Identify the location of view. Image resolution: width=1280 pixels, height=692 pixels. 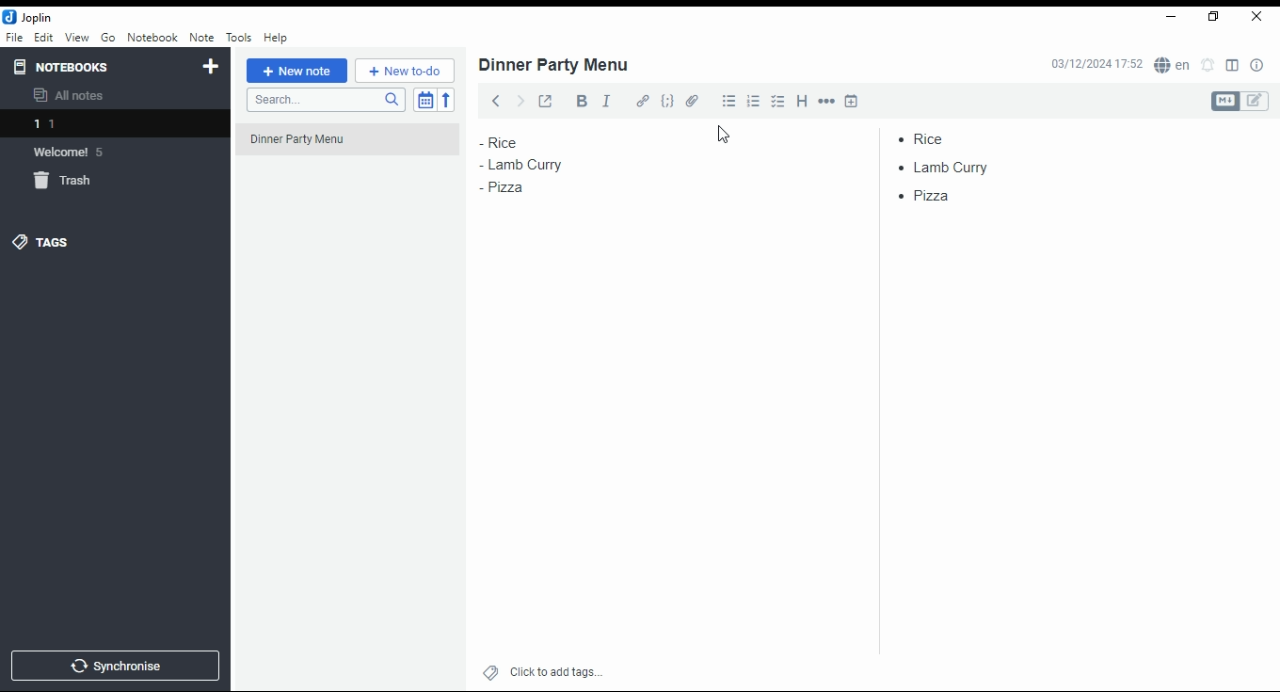
(76, 38).